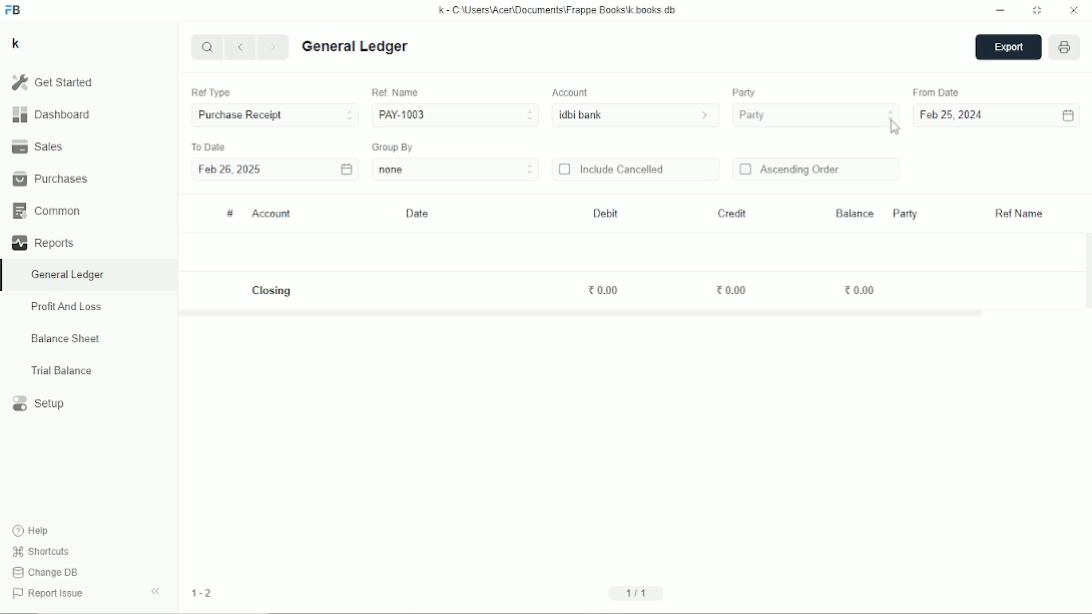 This screenshot has height=614, width=1092. Describe the element at coordinates (210, 93) in the screenshot. I see `Ref type` at that location.